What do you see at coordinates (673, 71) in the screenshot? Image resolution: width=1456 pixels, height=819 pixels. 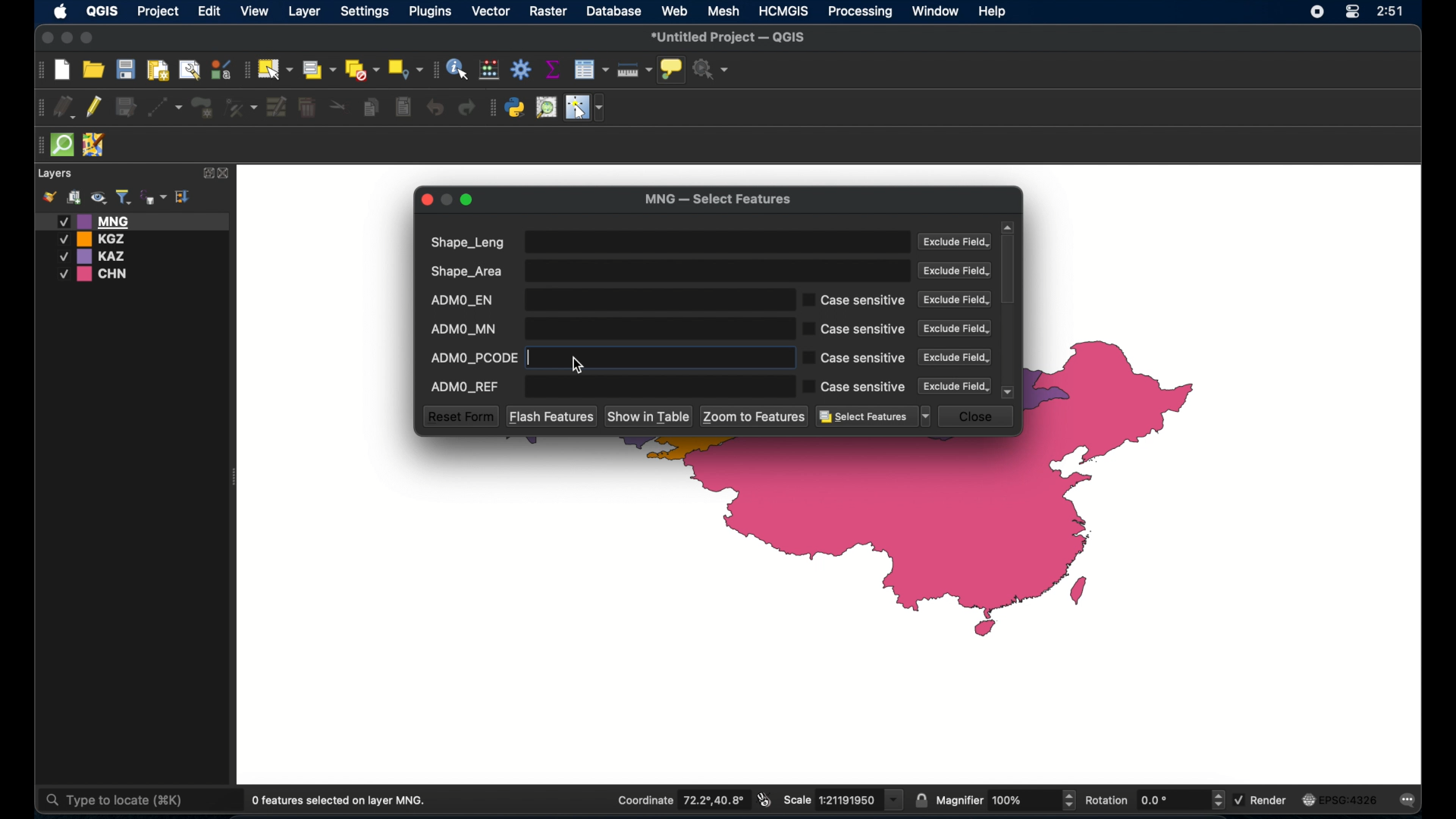 I see `show map tips` at bounding box center [673, 71].